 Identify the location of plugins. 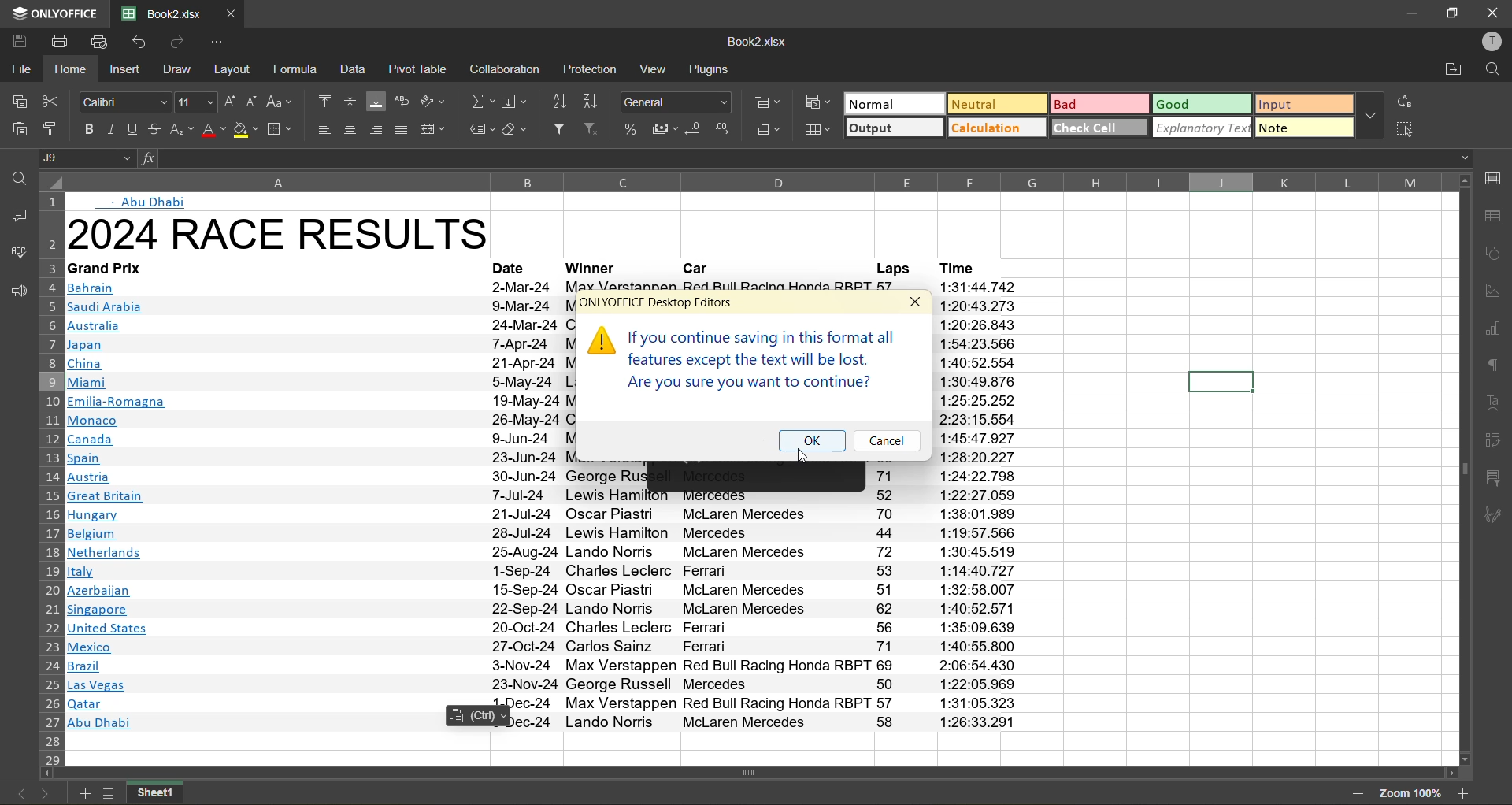
(717, 69).